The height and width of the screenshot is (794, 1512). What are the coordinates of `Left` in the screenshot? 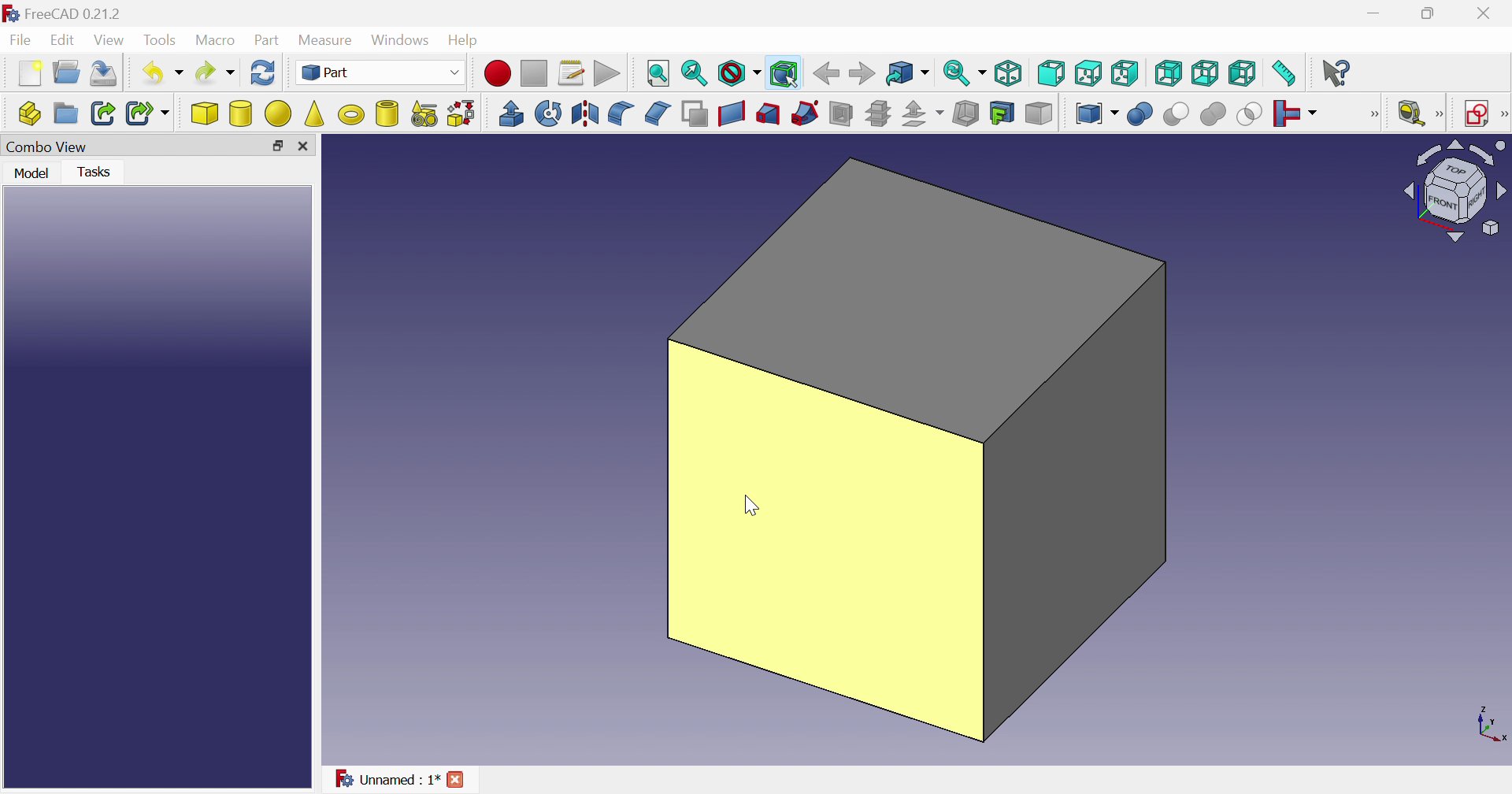 It's located at (1243, 74).